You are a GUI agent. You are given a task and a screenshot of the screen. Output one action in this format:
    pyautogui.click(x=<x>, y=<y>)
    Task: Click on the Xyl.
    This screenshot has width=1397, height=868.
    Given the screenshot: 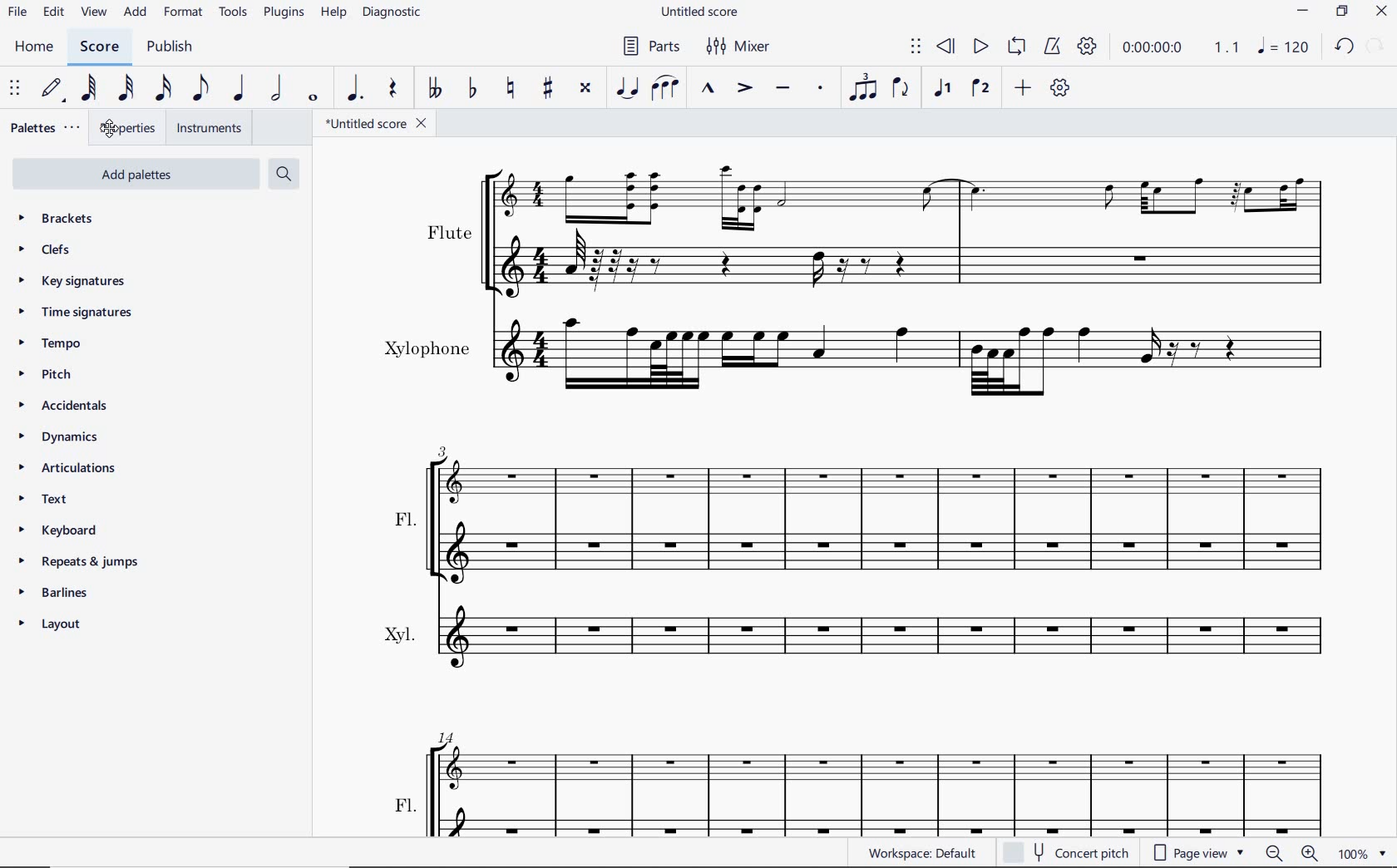 What is the action you would take?
    pyautogui.click(x=862, y=639)
    